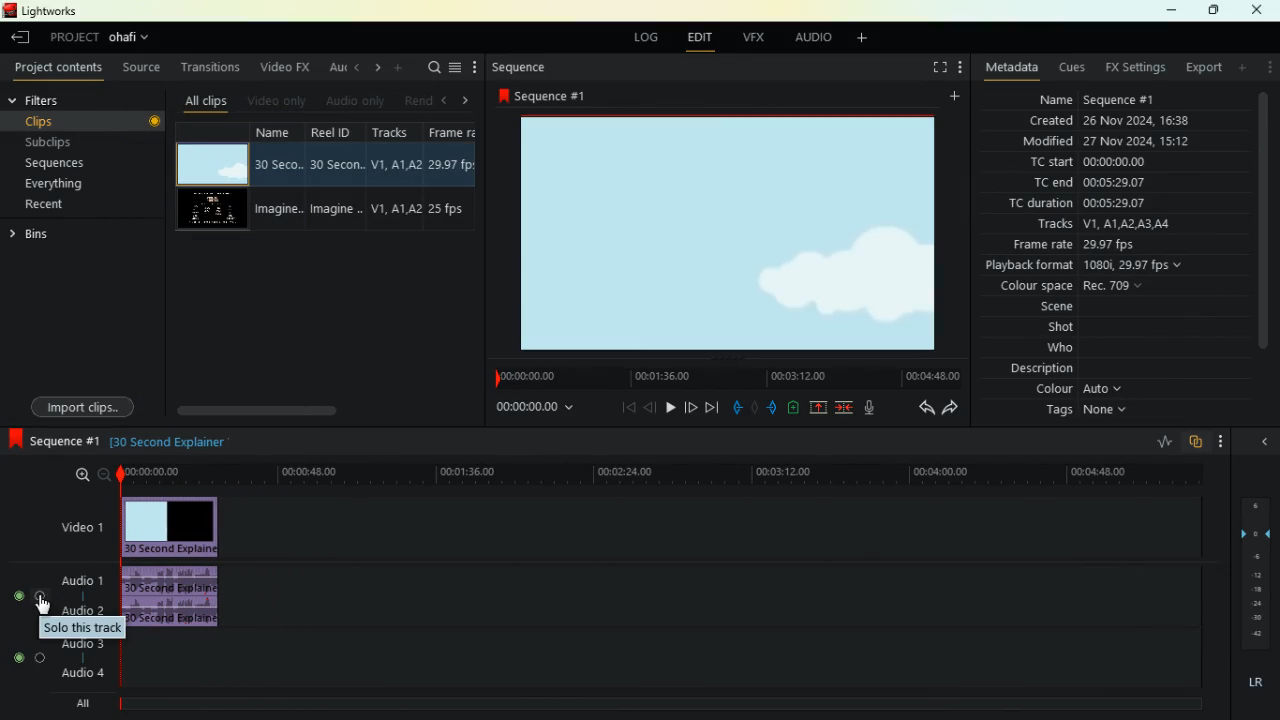  I want to click on image, so click(719, 233).